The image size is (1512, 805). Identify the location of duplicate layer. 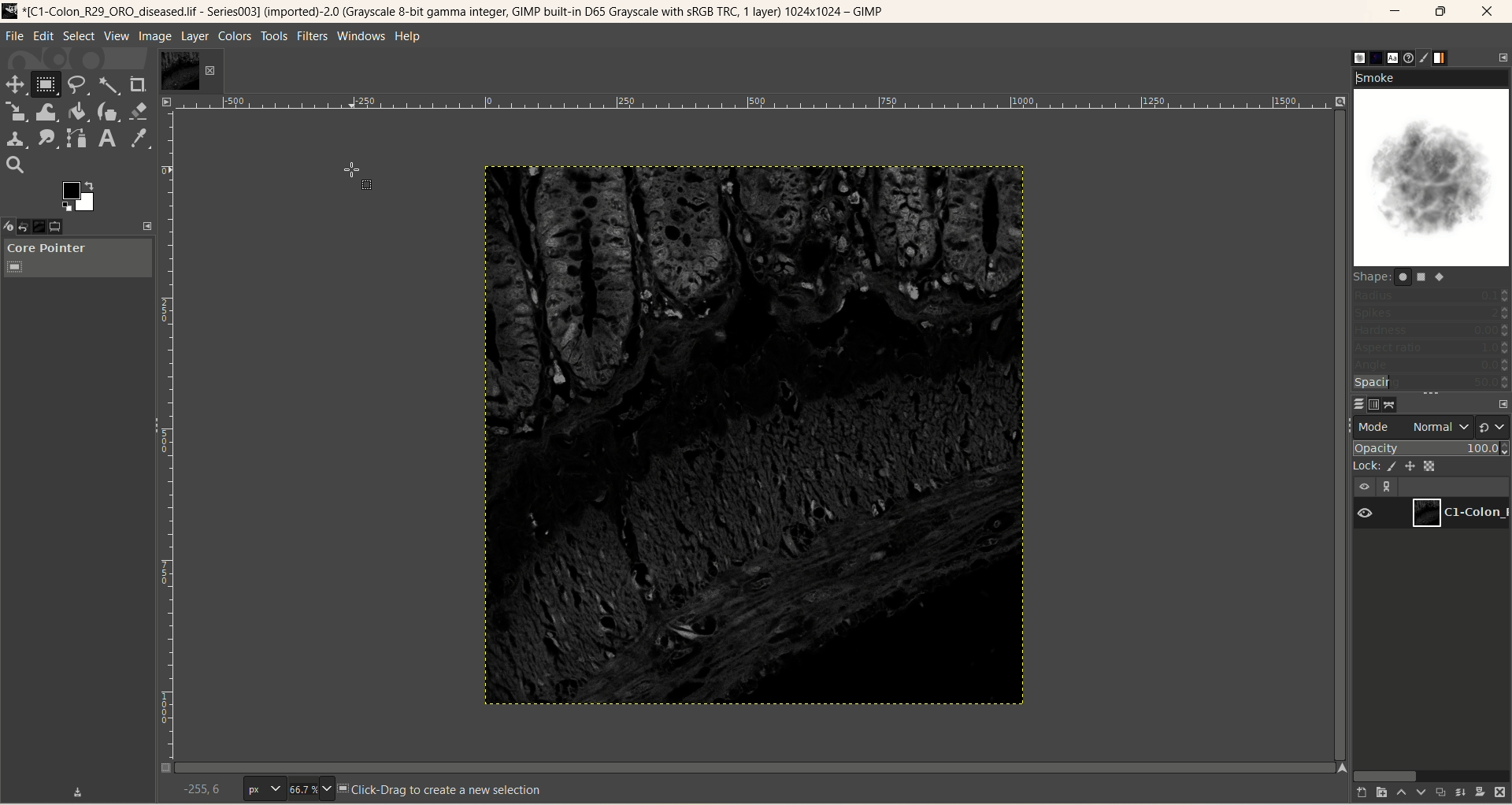
(1440, 795).